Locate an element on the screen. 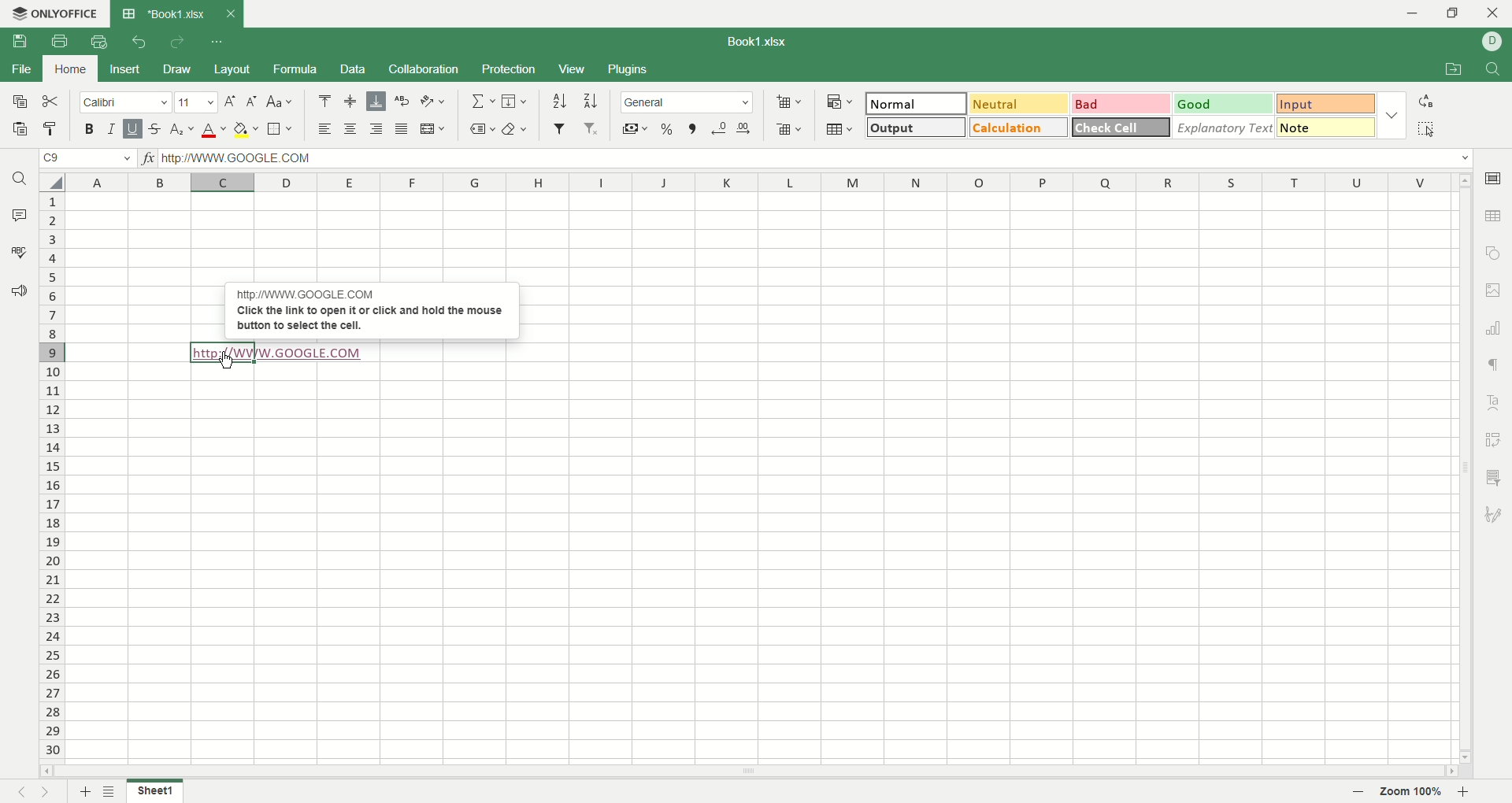  input line is located at coordinates (815, 159).